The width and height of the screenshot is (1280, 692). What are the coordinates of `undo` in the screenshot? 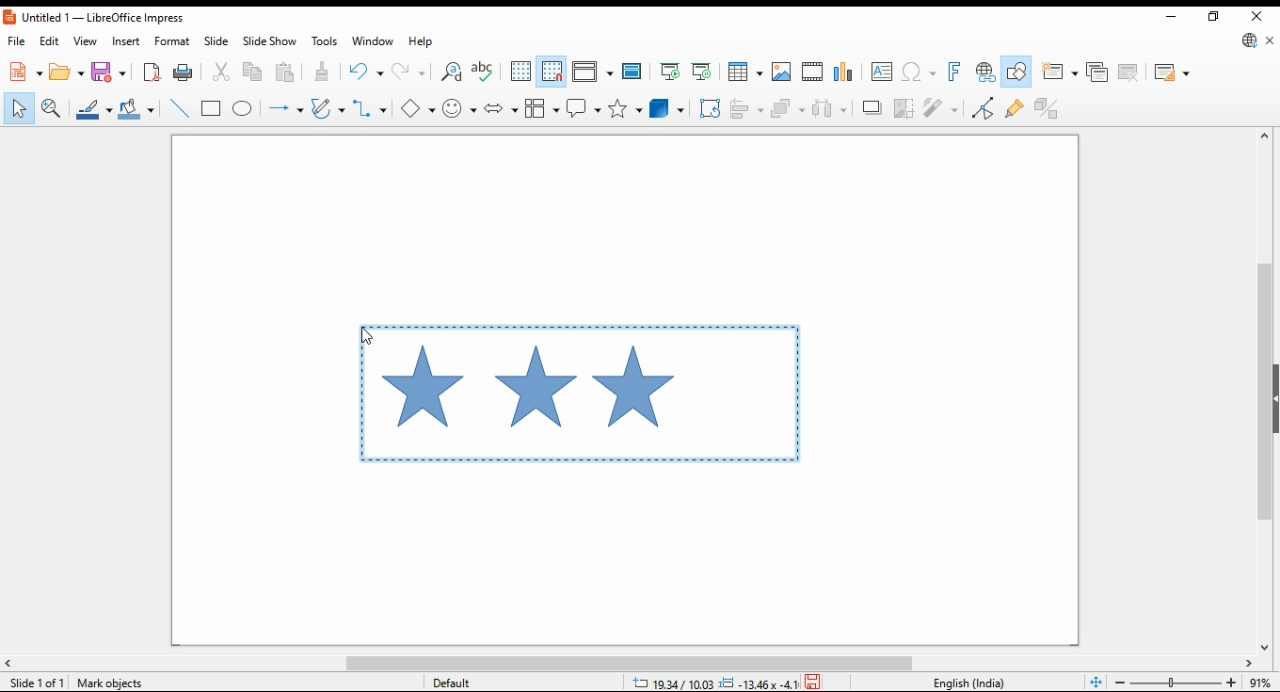 It's located at (367, 70).